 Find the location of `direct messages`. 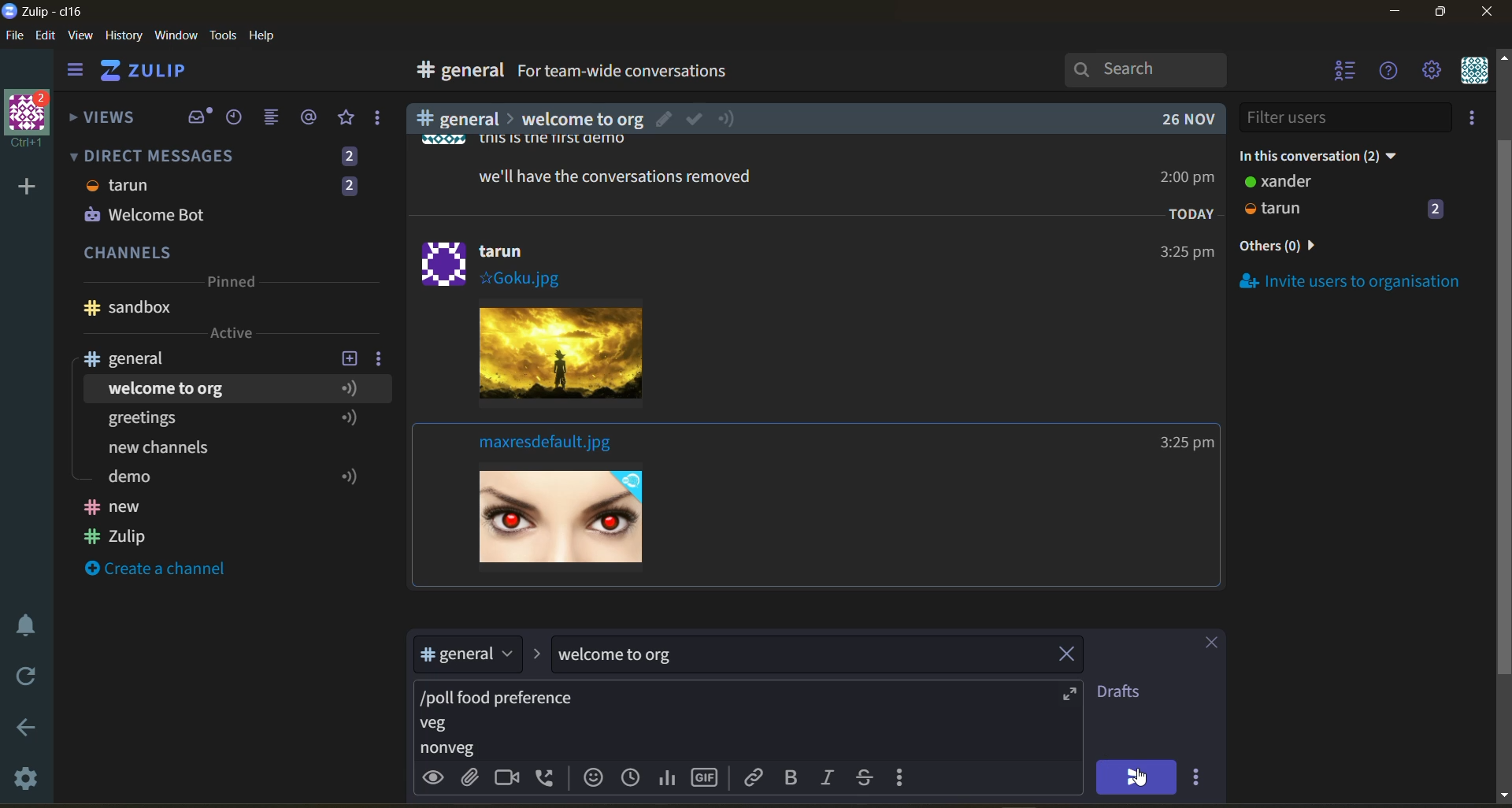

direct messages is located at coordinates (228, 188).